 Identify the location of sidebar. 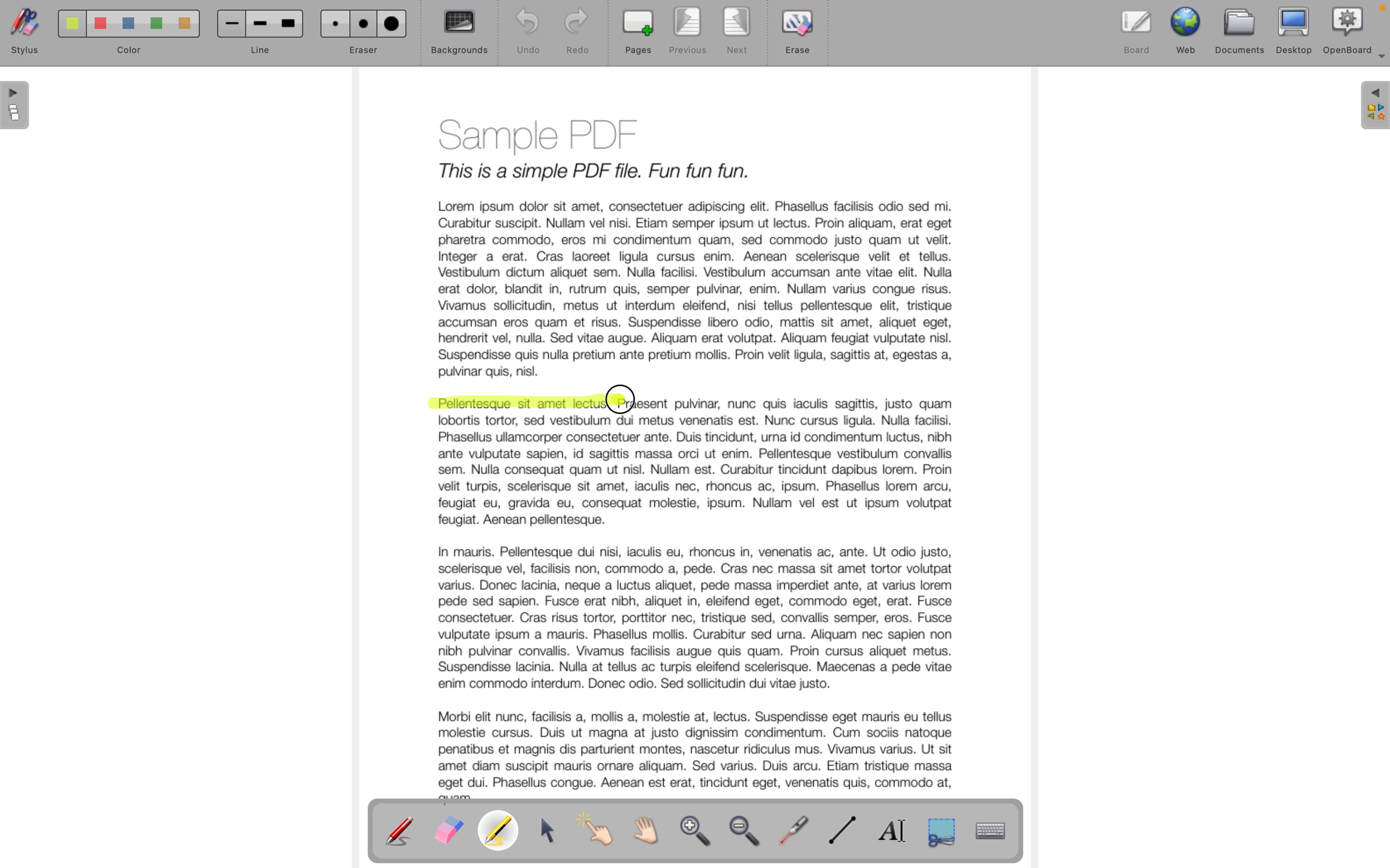
(1373, 106).